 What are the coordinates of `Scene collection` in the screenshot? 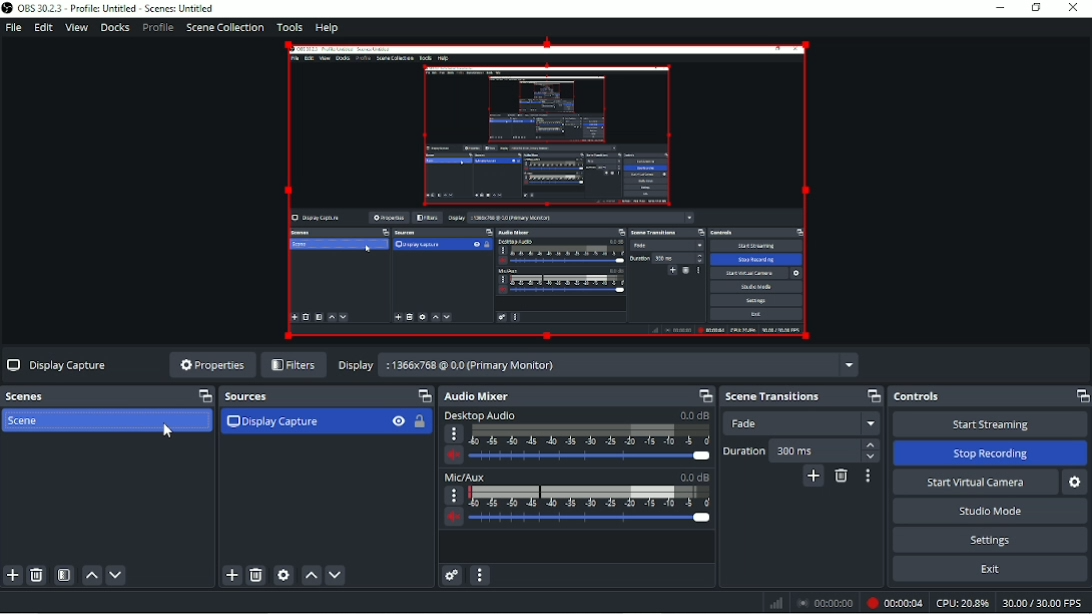 It's located at (226, 27).